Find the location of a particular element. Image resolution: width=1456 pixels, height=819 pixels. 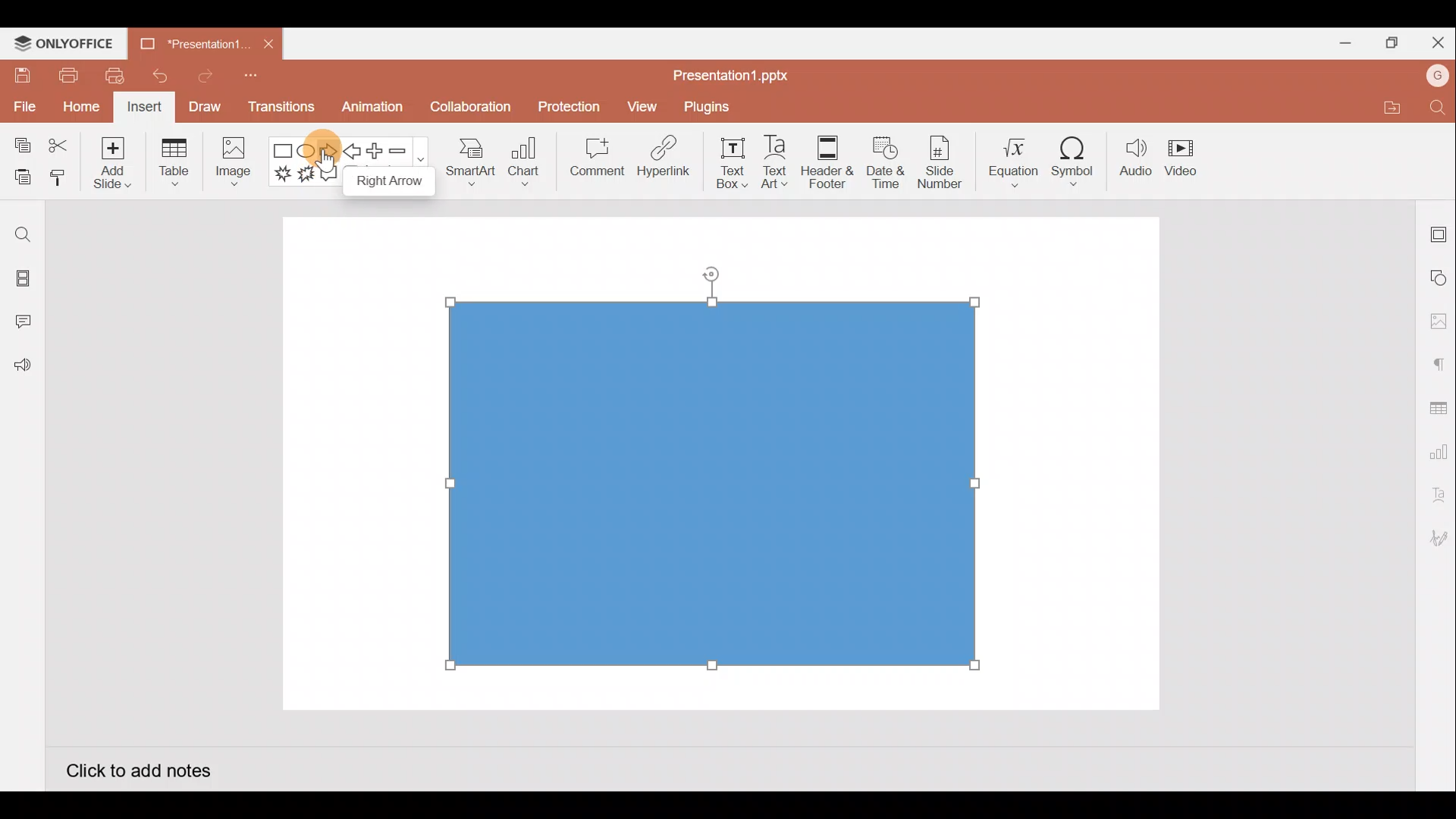

Rectangular callout is located at coordinates (329, 174).